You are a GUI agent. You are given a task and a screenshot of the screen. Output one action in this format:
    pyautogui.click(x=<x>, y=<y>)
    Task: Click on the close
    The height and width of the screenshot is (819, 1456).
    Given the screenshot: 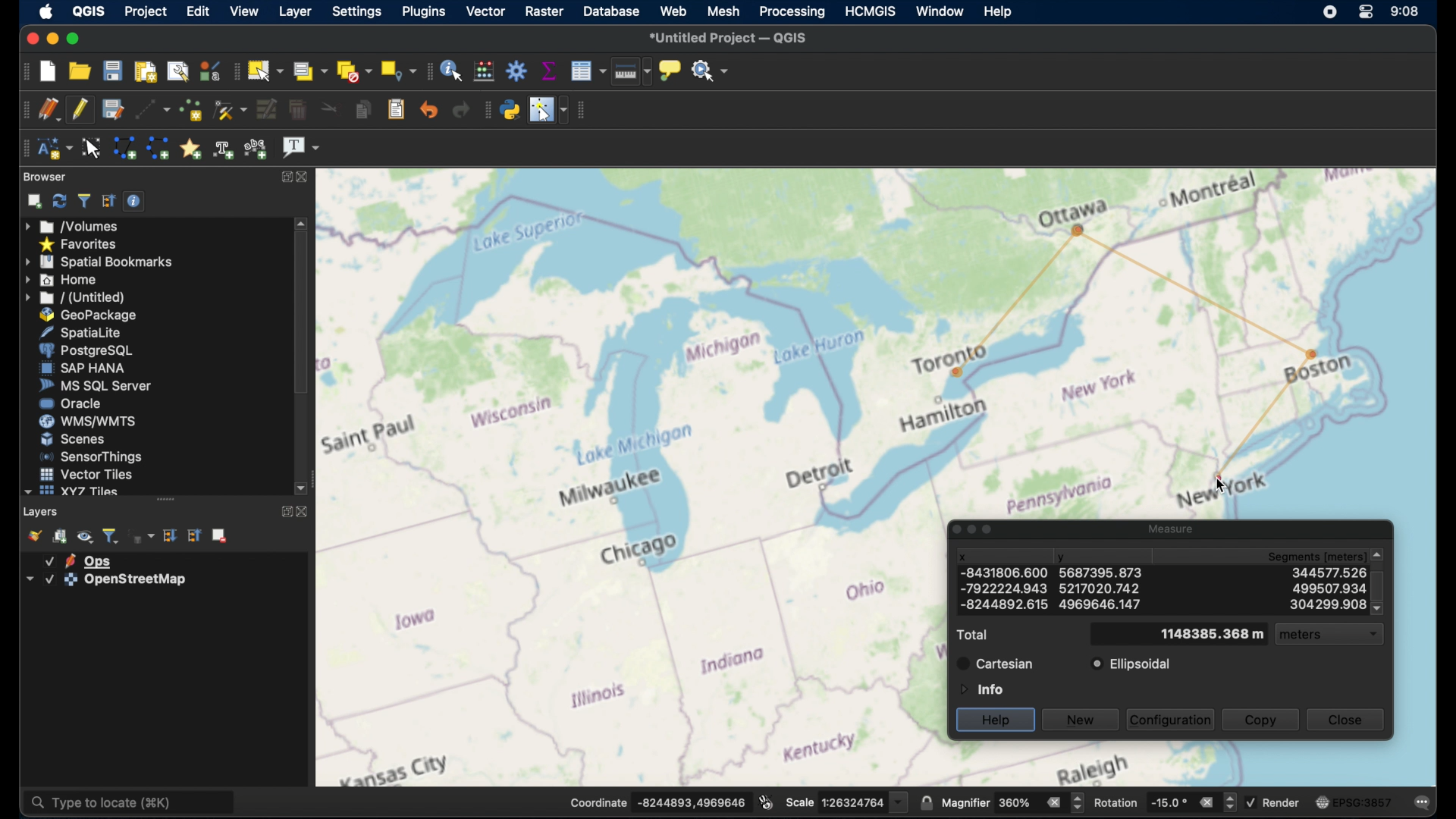 What is the action you would take?
    pyautogui.click(x=31, y=36)
    